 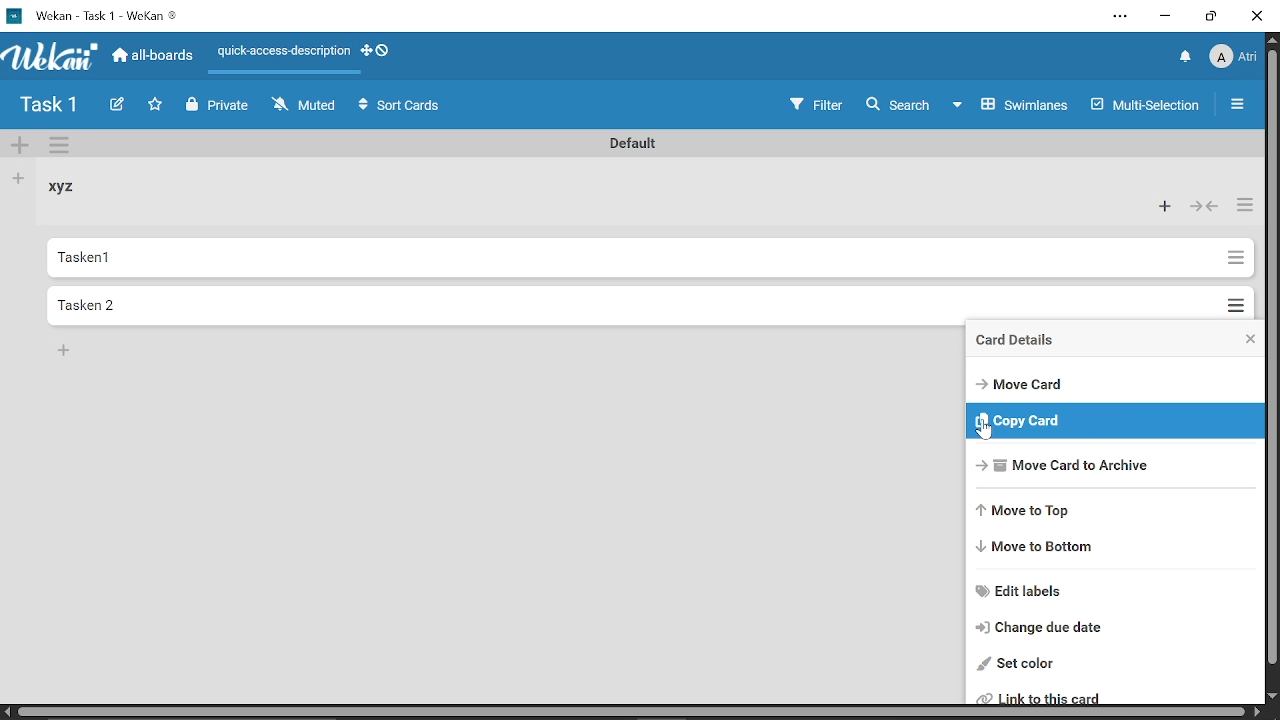 I want to click on Sort cards, so click(x=400, y=106).